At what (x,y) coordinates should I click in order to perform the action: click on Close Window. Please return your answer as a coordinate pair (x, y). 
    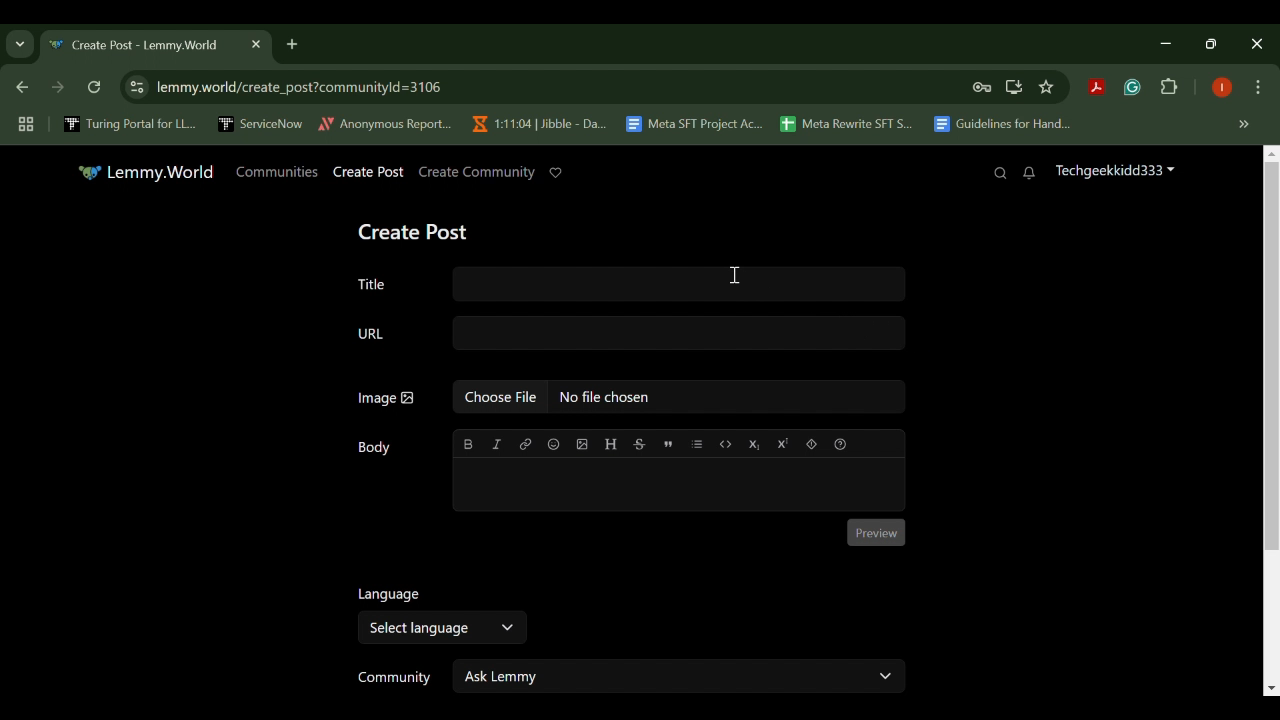
    Looking at the image, I should click on (1258, 44).